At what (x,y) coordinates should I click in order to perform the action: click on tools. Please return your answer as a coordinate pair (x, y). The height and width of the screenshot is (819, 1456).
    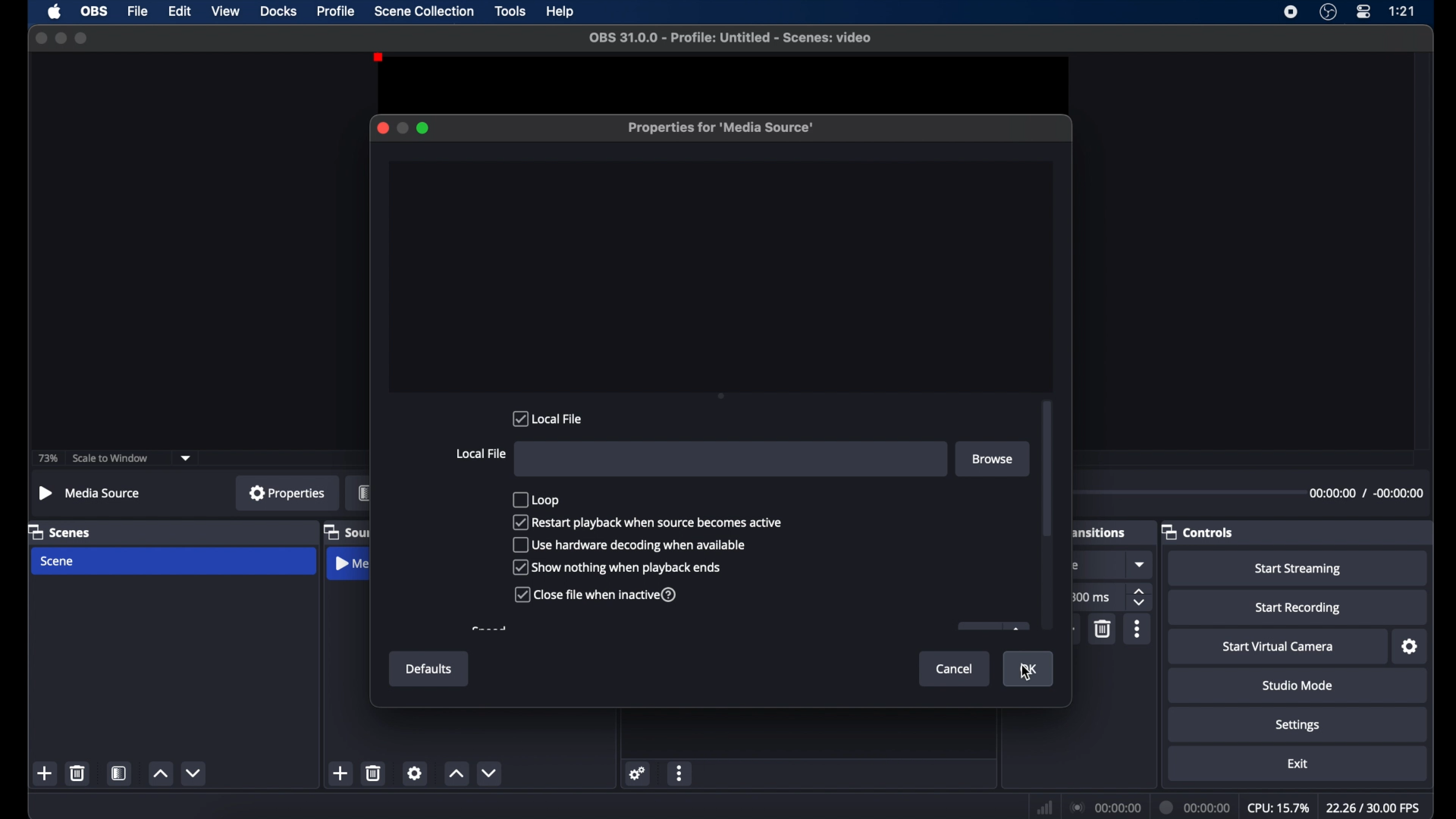
    Looking at the image, I should click on (510, 11).